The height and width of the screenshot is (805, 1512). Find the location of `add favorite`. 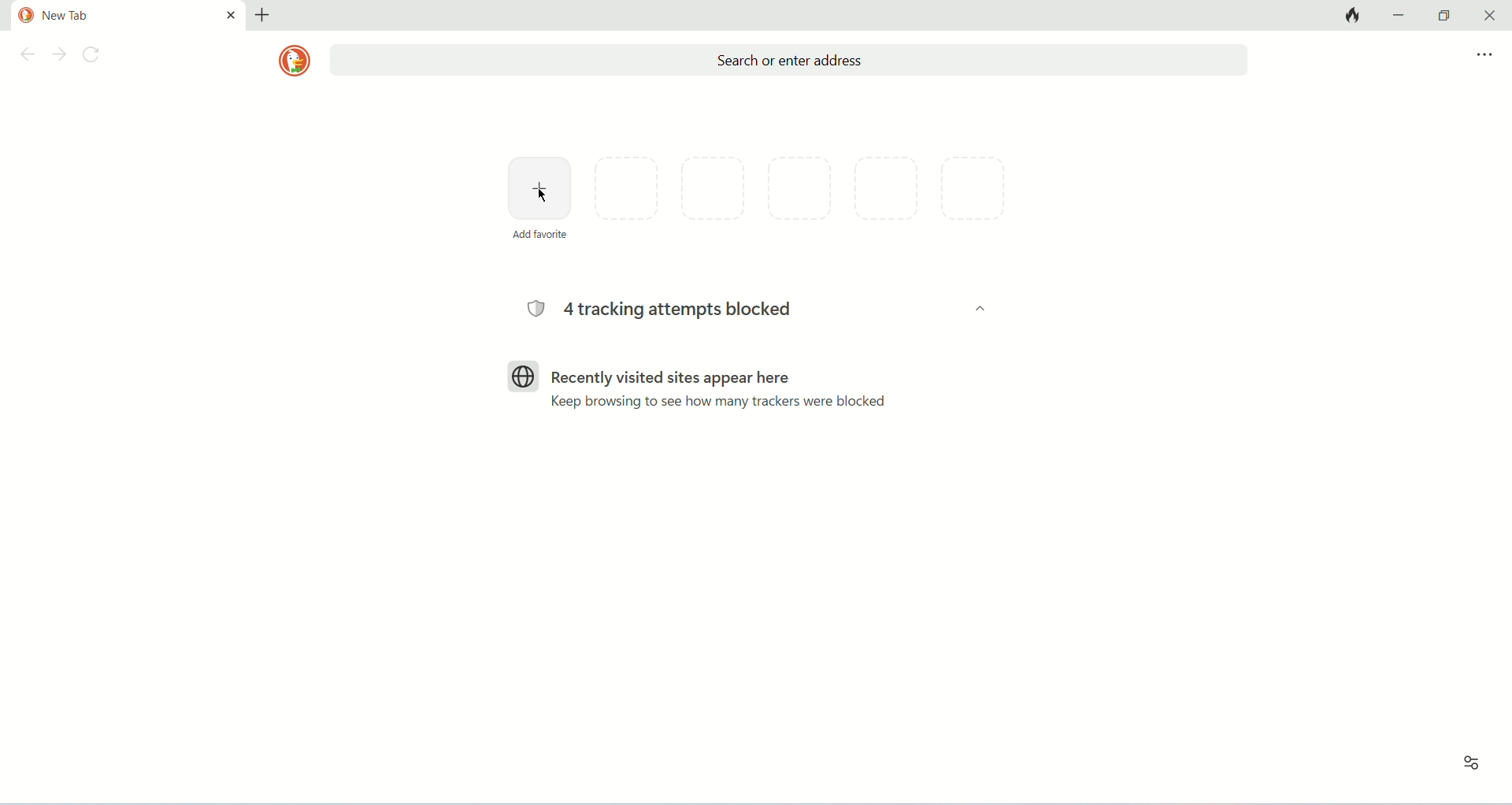

add favorite is located at coordinates (539, 234).